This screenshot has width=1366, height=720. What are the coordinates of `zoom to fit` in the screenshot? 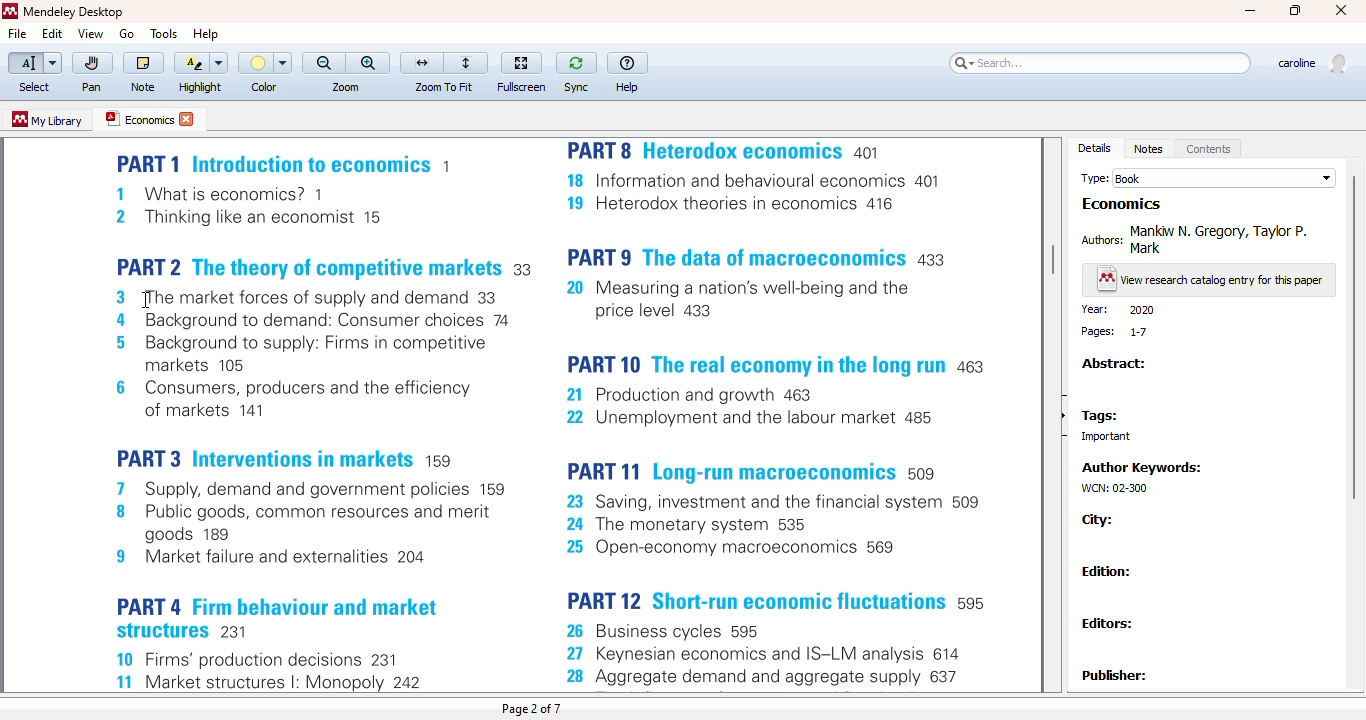 It's located at (443, 87).